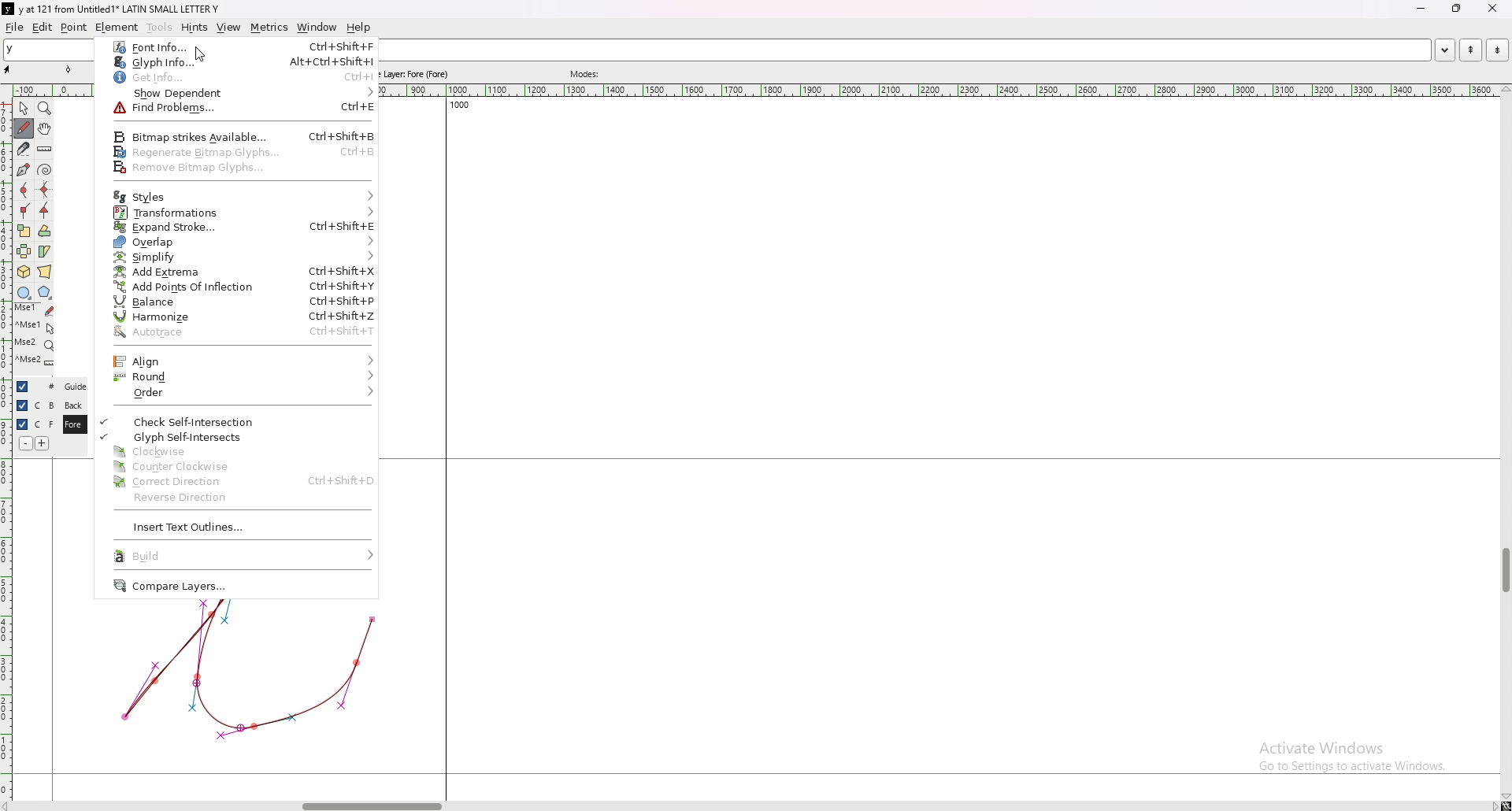 This screenshot has width=1512, height=811. What do you see at coordinates (24, 210) in the screenshot?
I see `add a corner point` at bounding box center [24, 210].